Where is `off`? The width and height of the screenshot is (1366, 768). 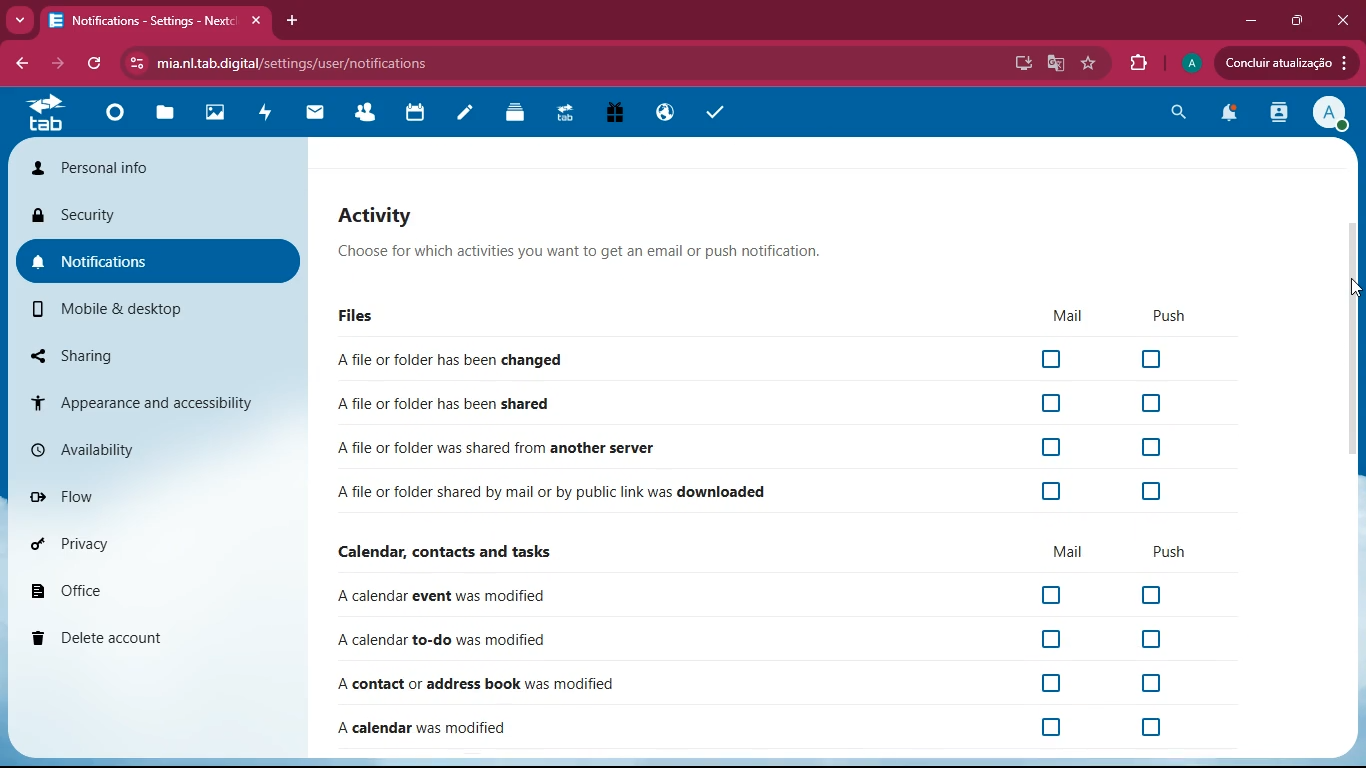 off is located at coordinates (1054, 729).